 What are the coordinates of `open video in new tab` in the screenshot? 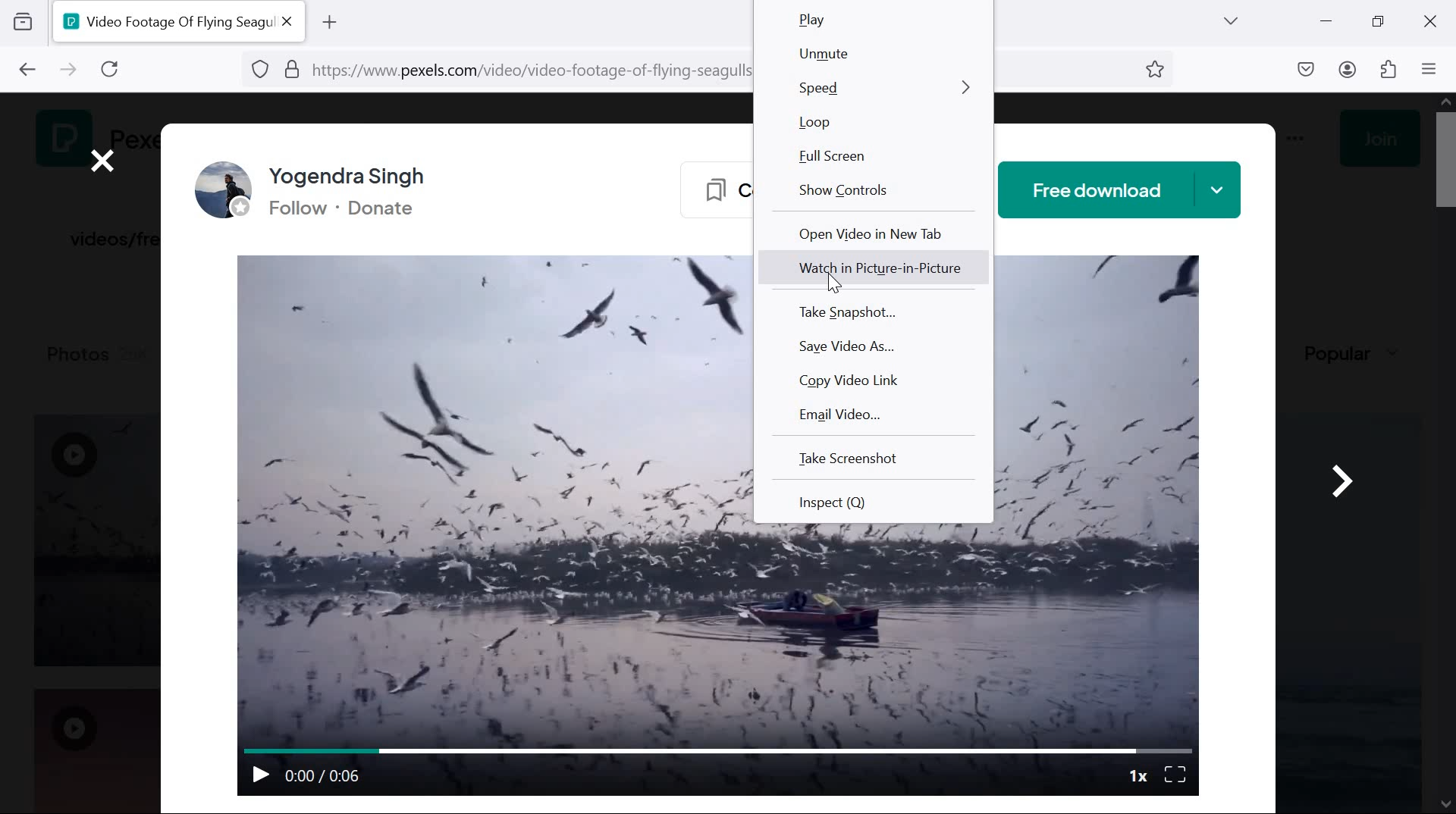 It's located at (875, 233).